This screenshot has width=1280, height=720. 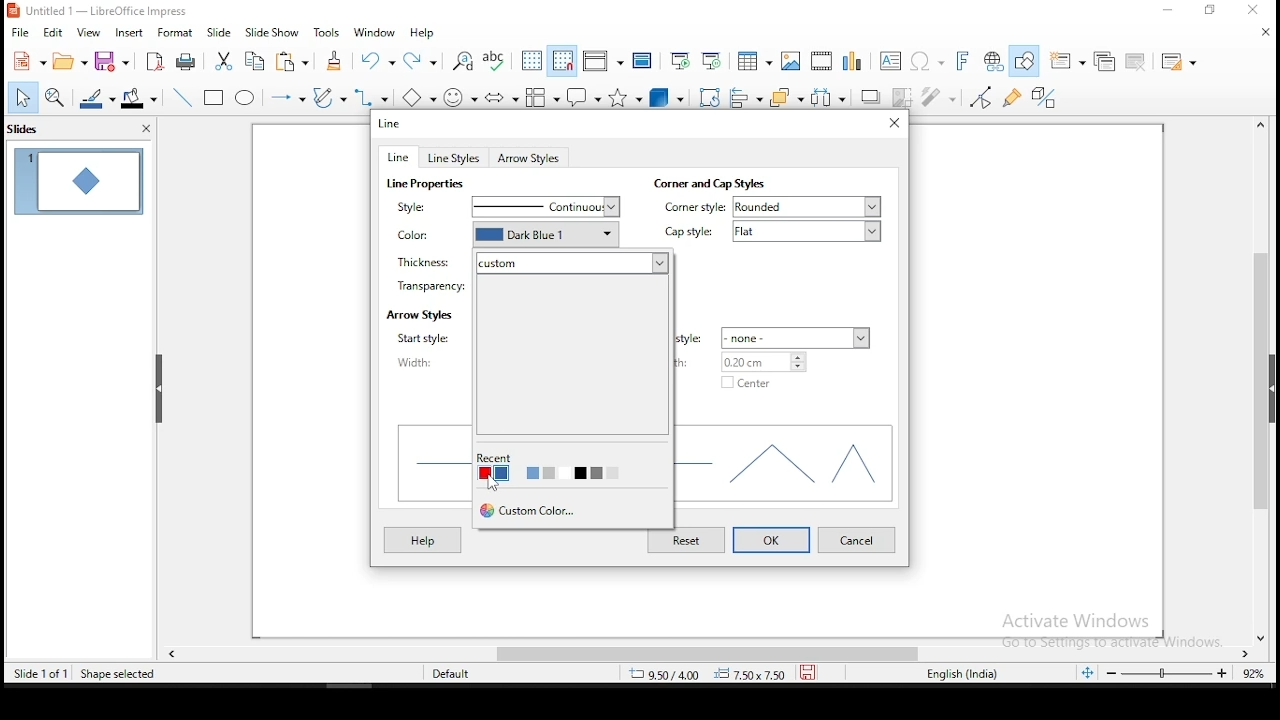 What do you see at coordinates (213, 96) in the screenshot?
I see `rectangle` at bounding box center [213, 96].